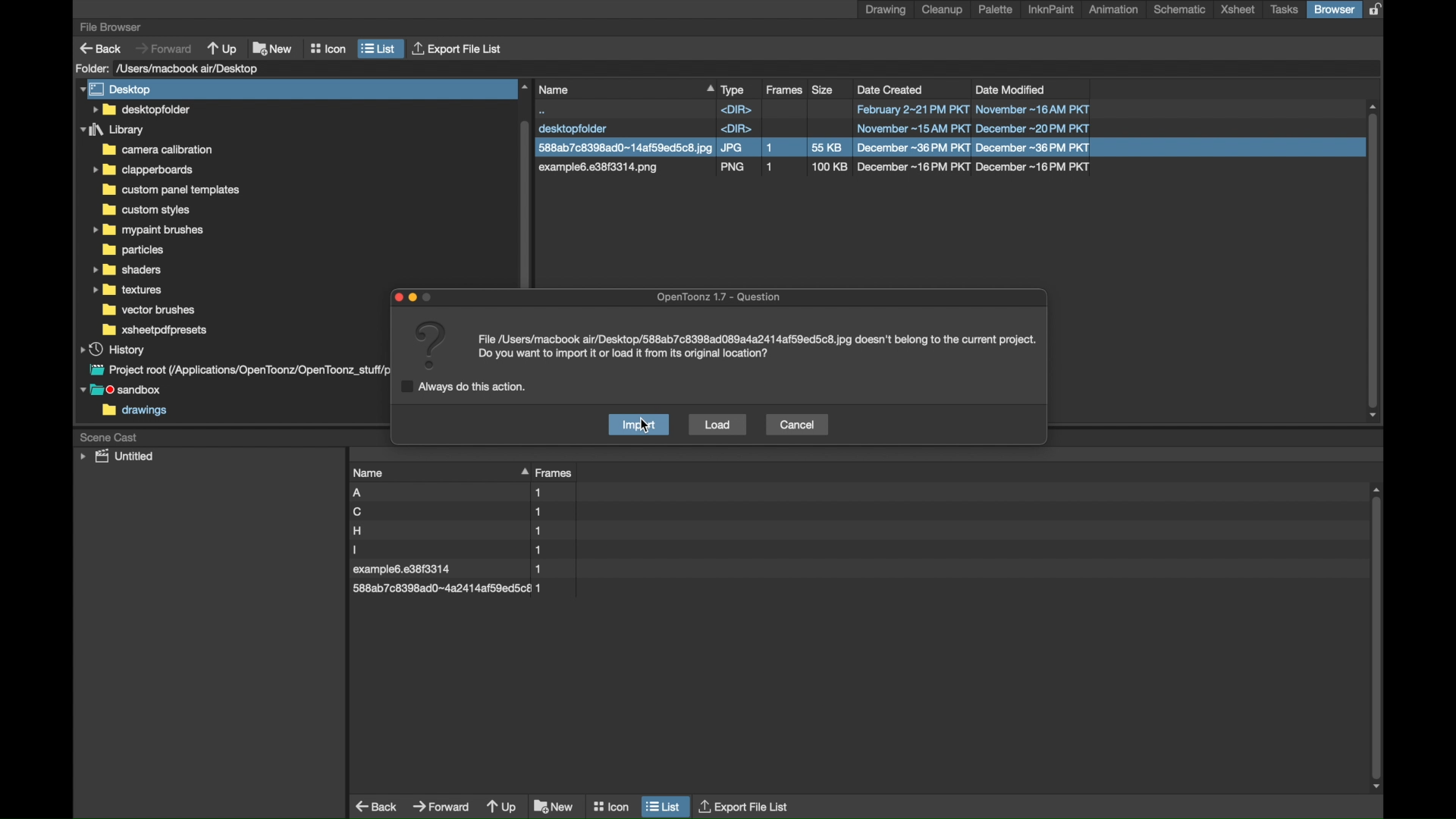 The width and height of the screenshot is (1456, 819). Describe the element at coordinates (891, 89) in the screenshot. I see `date created` at that location.